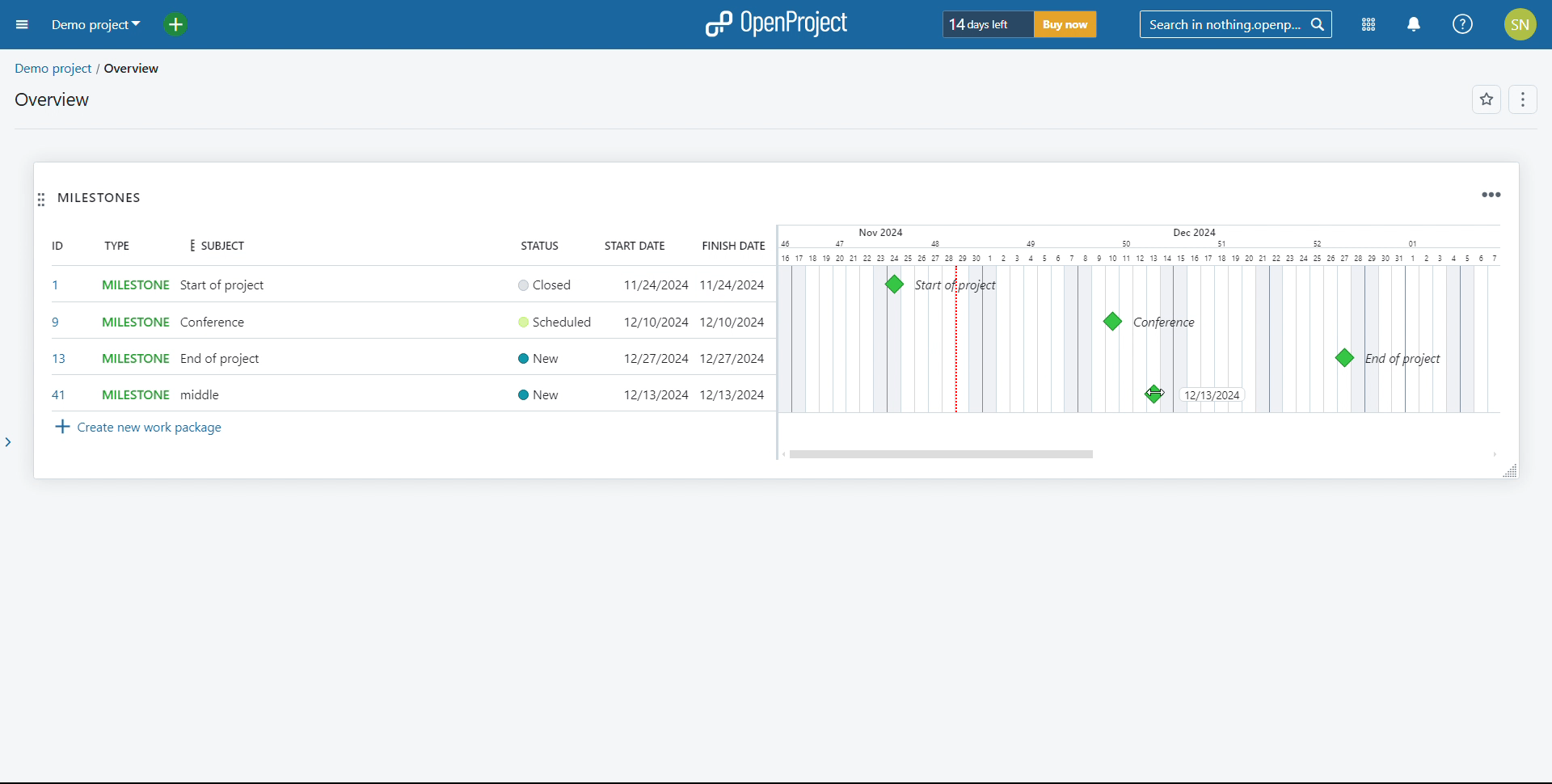 This screenshot has width=1552, height=784. I want to click on buy now, so click(1065, 24).